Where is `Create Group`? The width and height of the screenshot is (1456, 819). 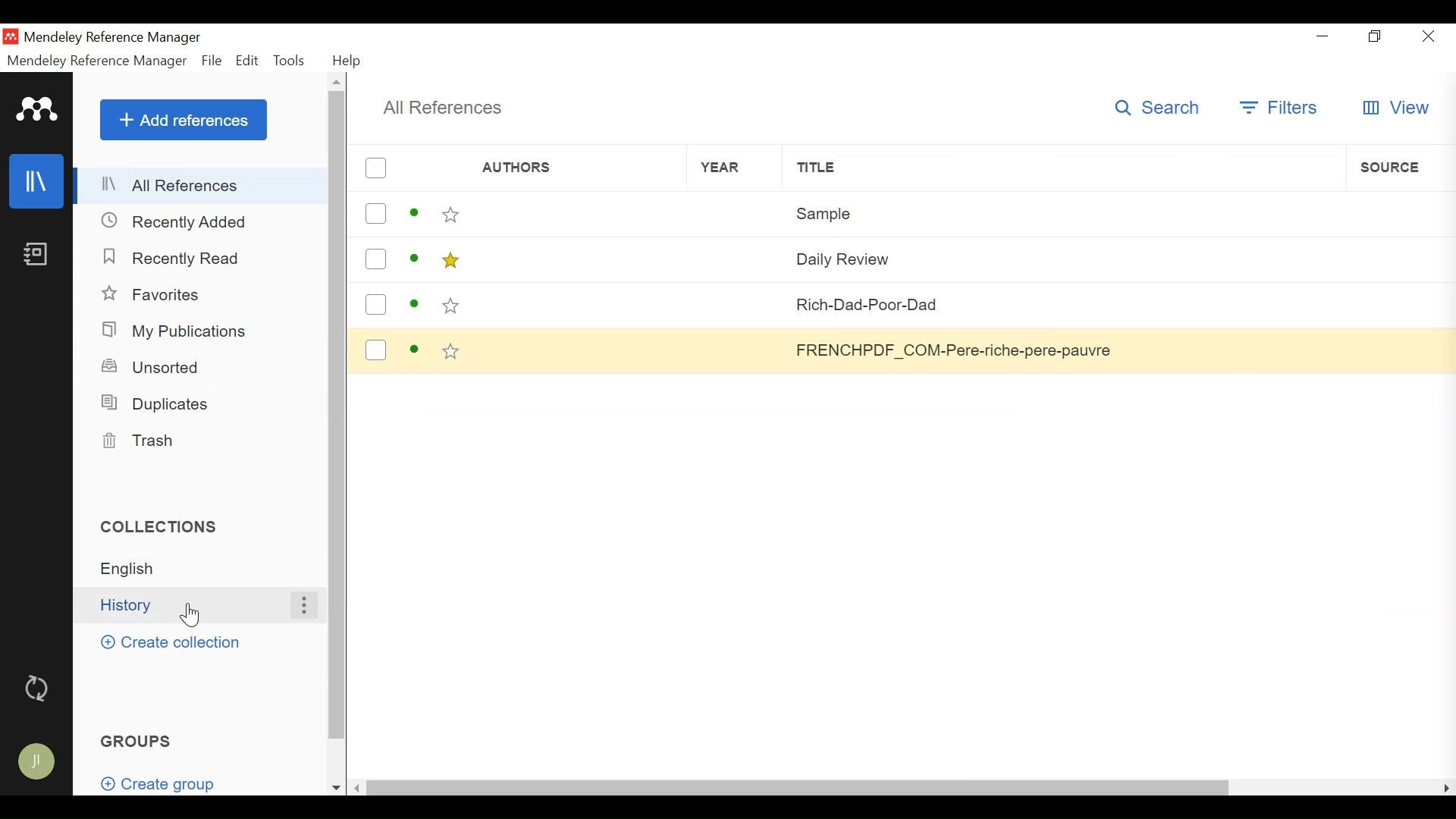 Create Group is located at coordinates (168, 783).